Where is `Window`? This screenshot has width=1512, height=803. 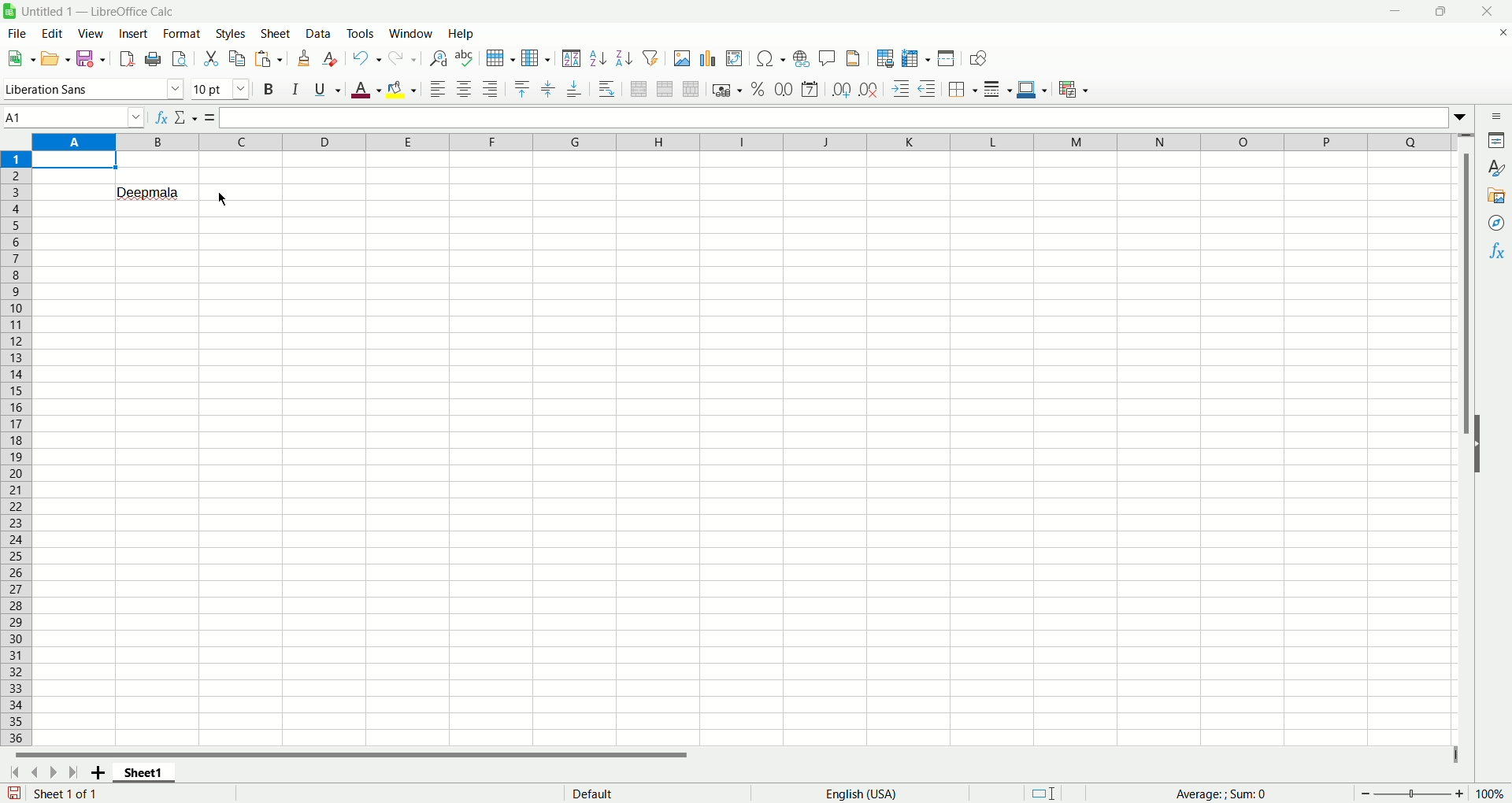 Window is located at coordinates (412, 33).